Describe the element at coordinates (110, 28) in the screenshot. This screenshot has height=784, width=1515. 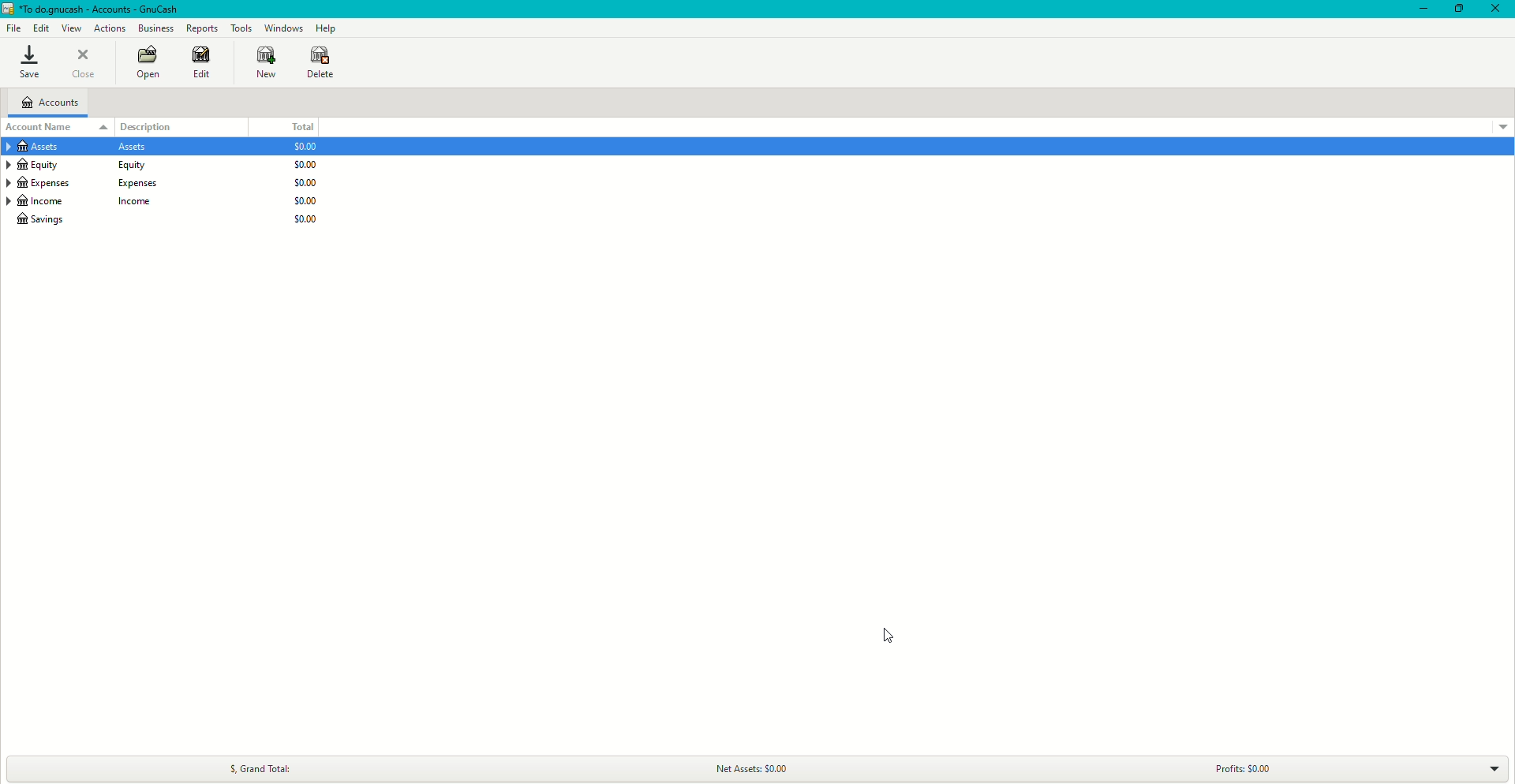
I see `Actions` at that location.